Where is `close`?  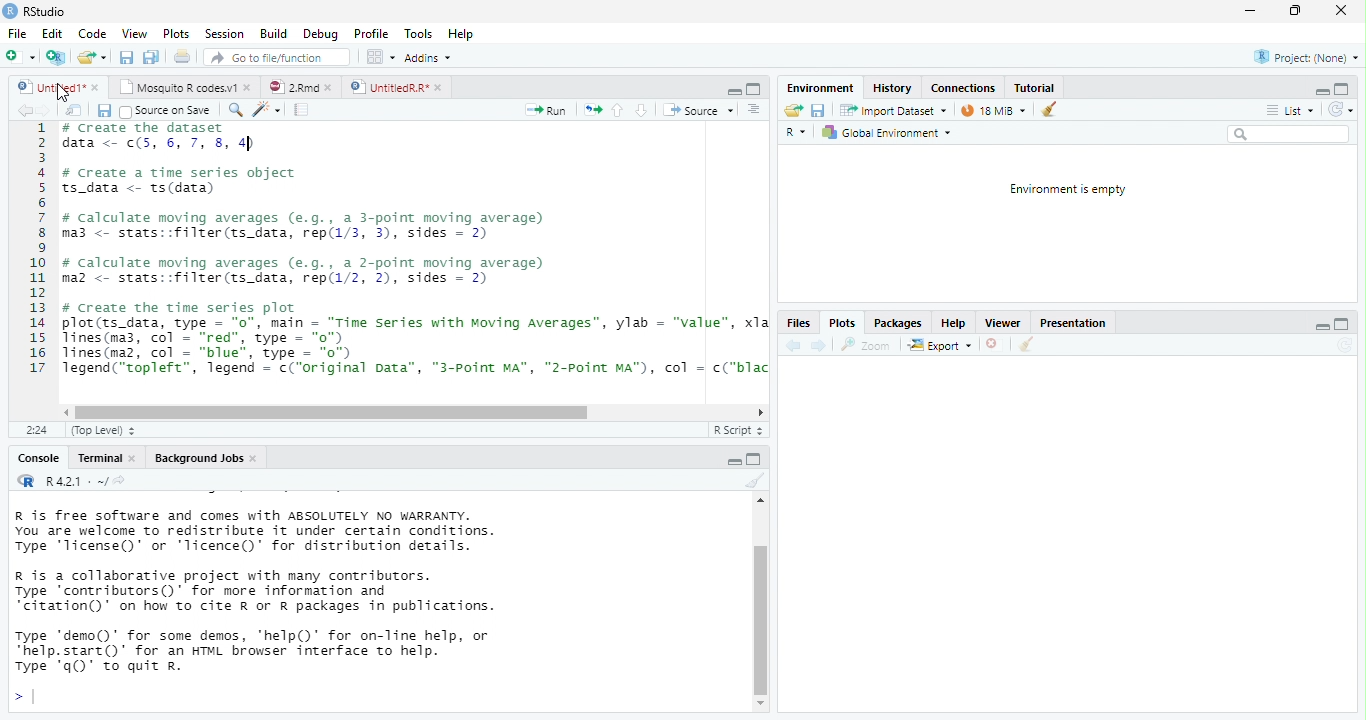
close is located at coordinates (332, 88).